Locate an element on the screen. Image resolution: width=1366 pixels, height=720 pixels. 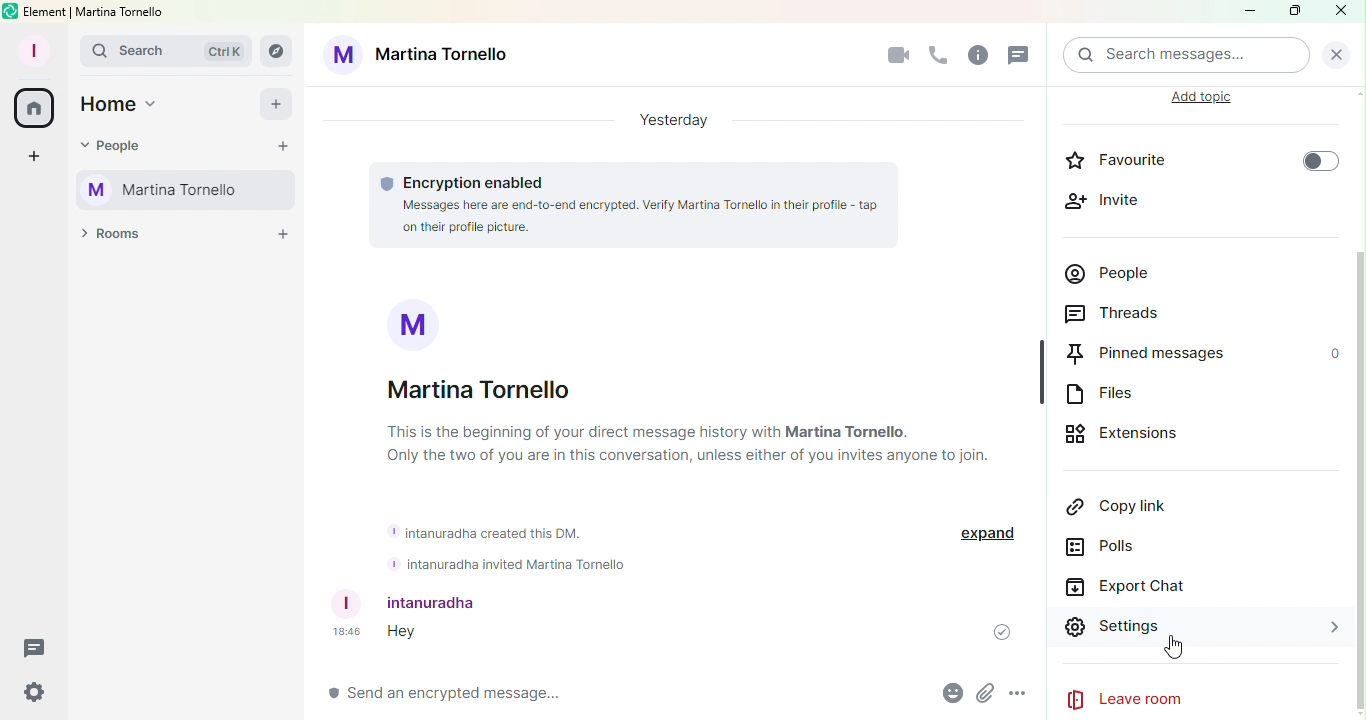
Write message is located at coordinates (588, 694).